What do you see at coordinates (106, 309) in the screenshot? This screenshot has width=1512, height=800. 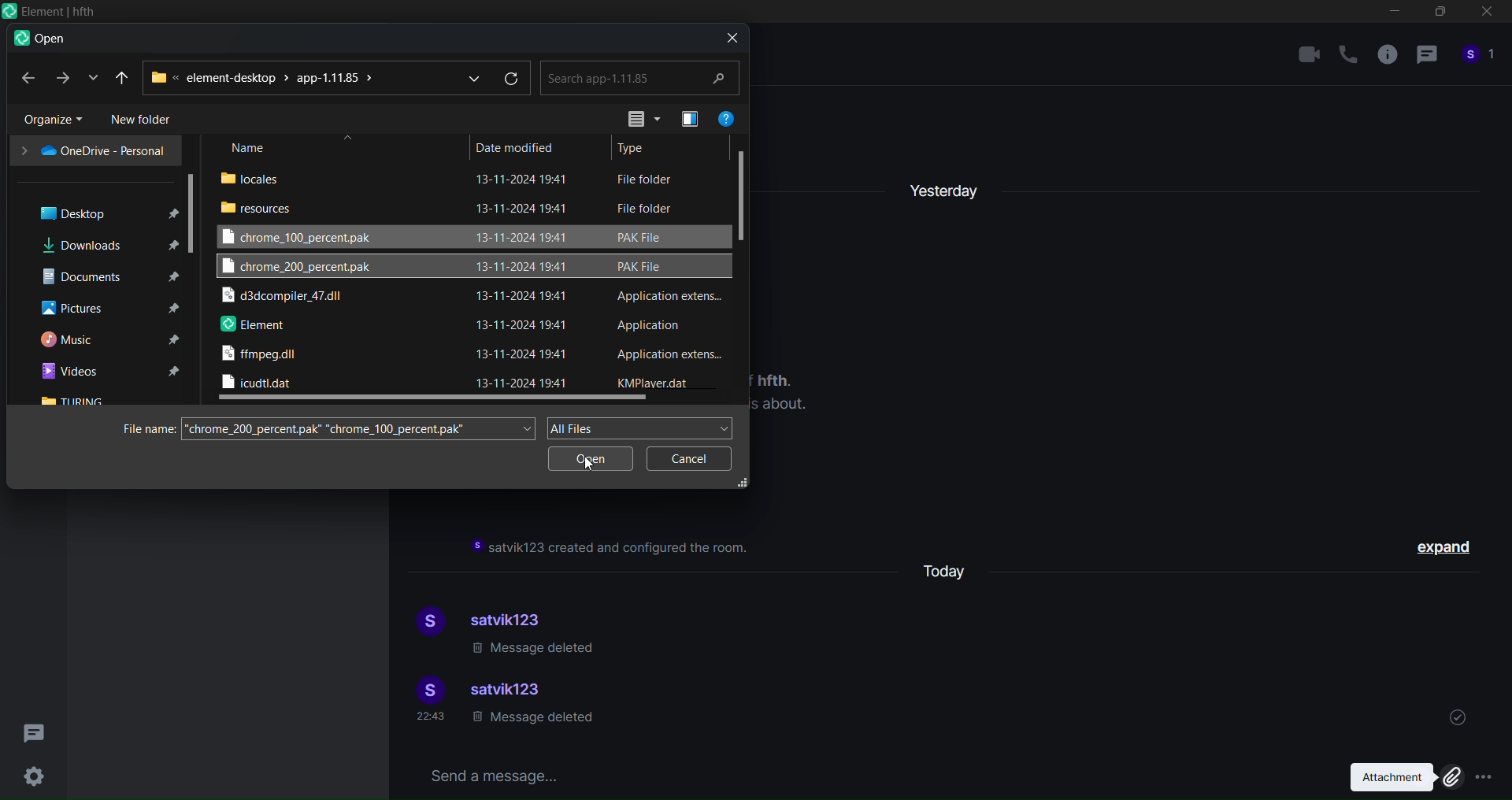 I see `pictures` at bounding box center [106, 309].